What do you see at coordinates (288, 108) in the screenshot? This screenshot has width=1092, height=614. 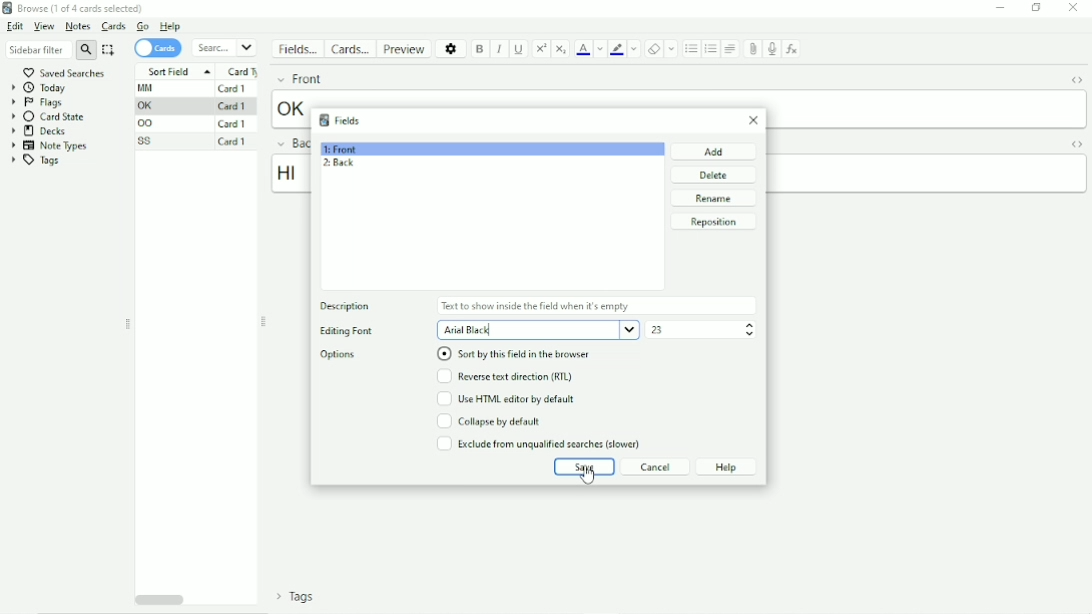 I see `ok` at bounding box center [288, 108].